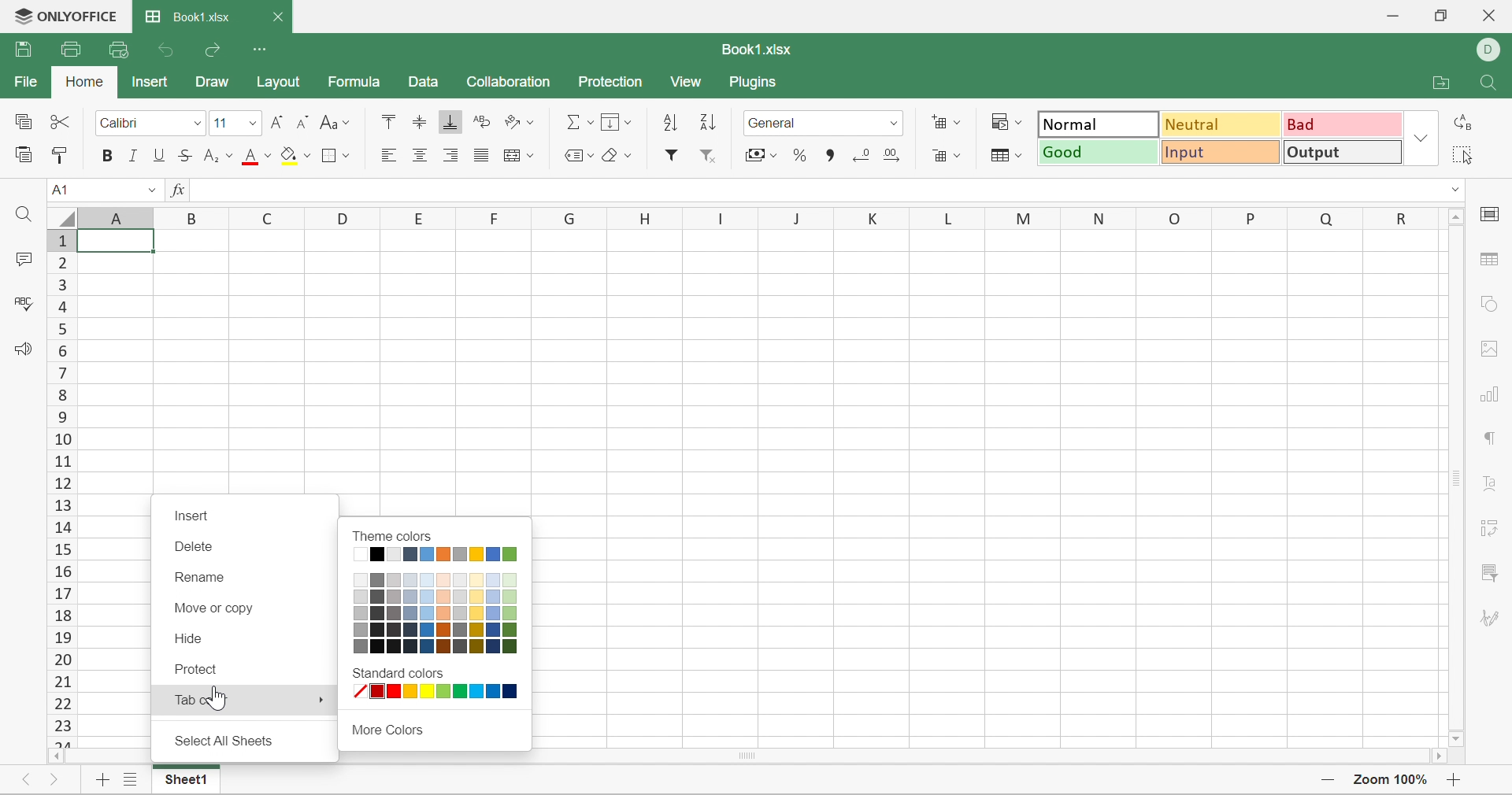  Describe the element at coordinates (949, 157) in the screenshot. I see `Delete cell` at that location.